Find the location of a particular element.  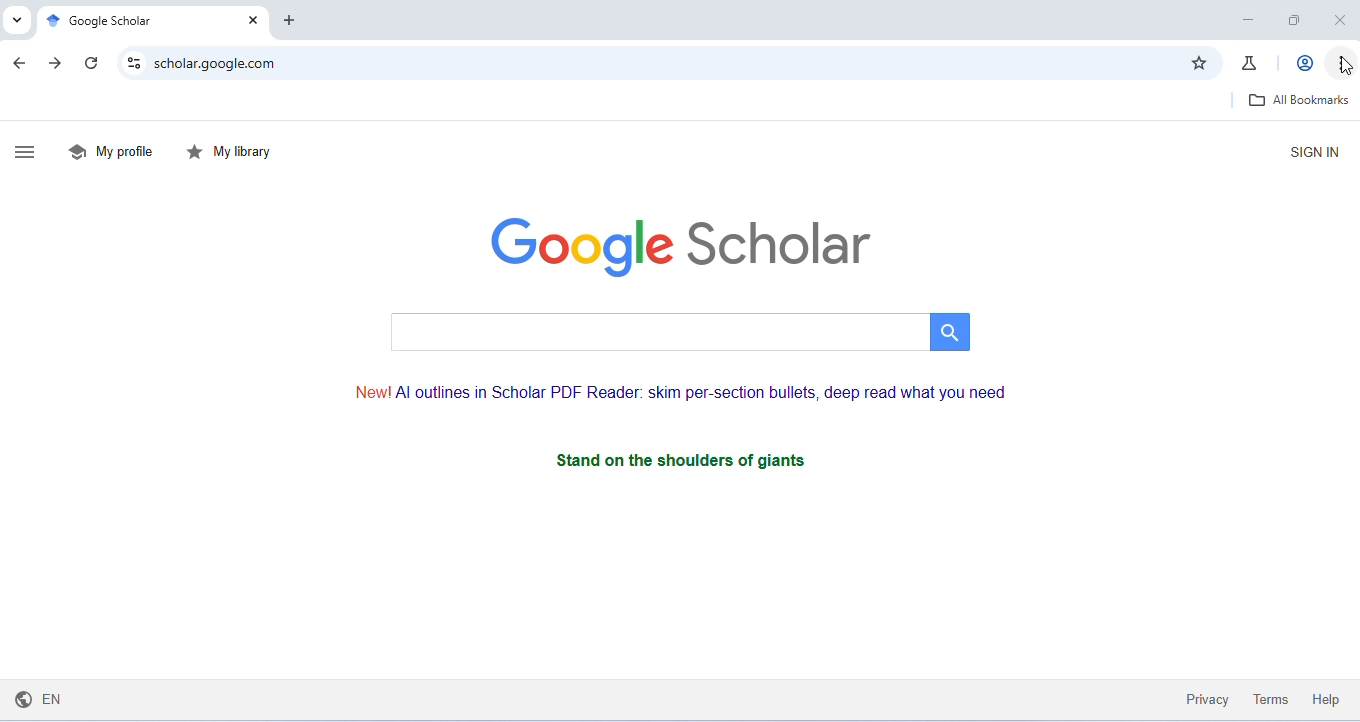

sign in is located at coordinates (1311, 152).